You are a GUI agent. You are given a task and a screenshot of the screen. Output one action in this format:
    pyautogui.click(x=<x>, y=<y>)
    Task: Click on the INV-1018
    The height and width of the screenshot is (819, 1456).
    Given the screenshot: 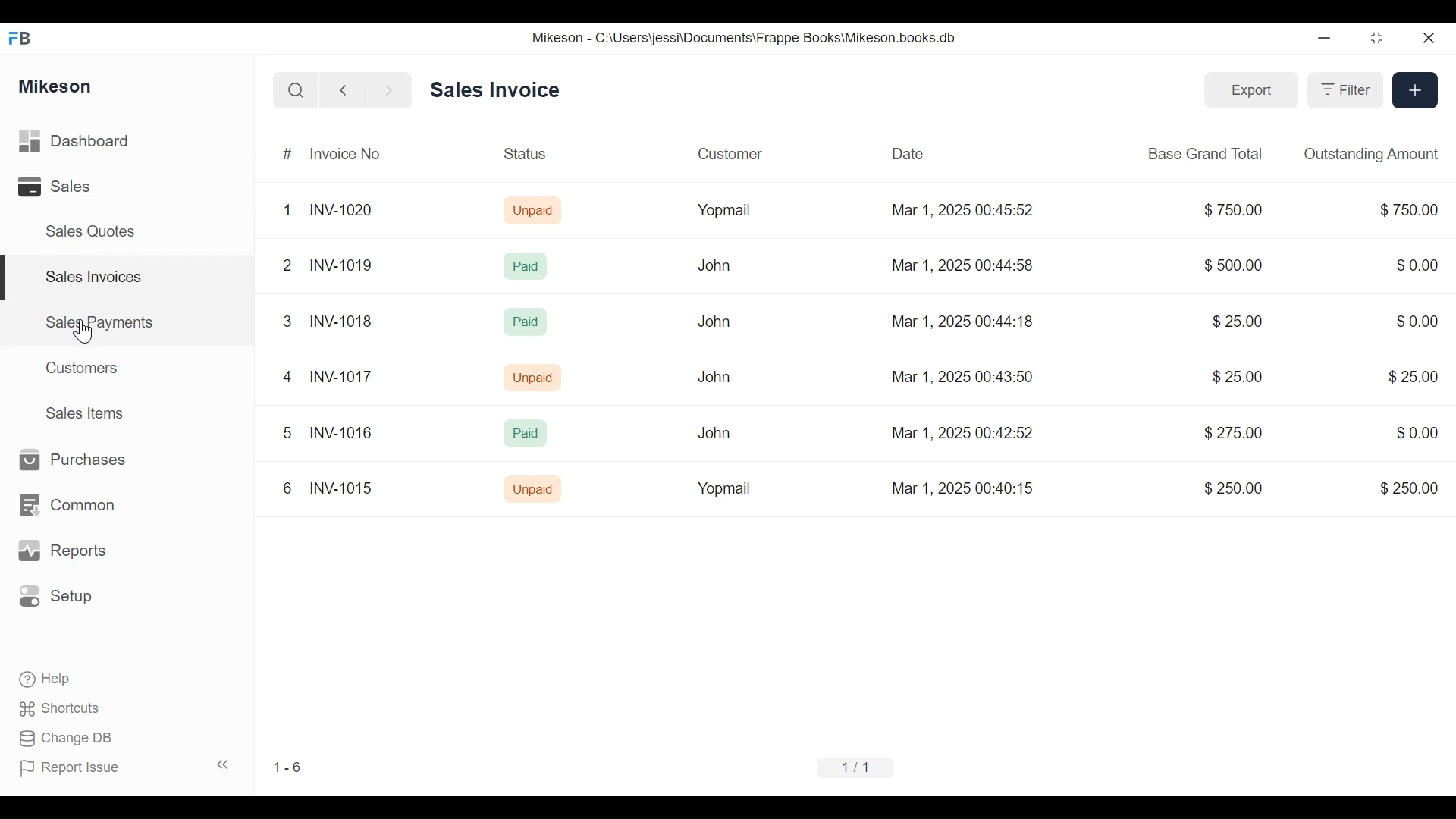 What is the action you would take?
    pyautogui.click(x=343, y=321)
    